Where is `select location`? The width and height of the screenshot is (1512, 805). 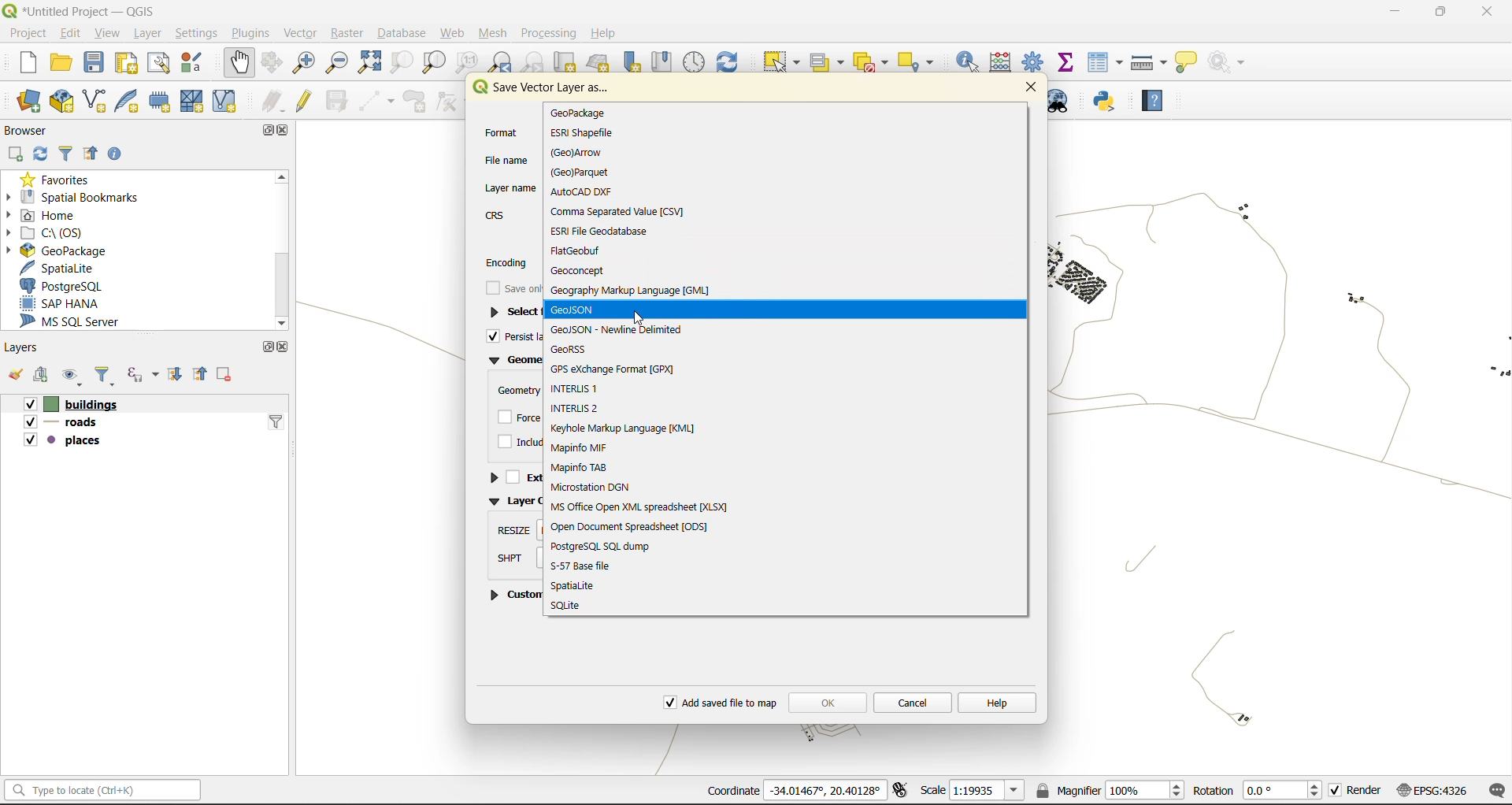
select location is located at coordinates (921, 62).